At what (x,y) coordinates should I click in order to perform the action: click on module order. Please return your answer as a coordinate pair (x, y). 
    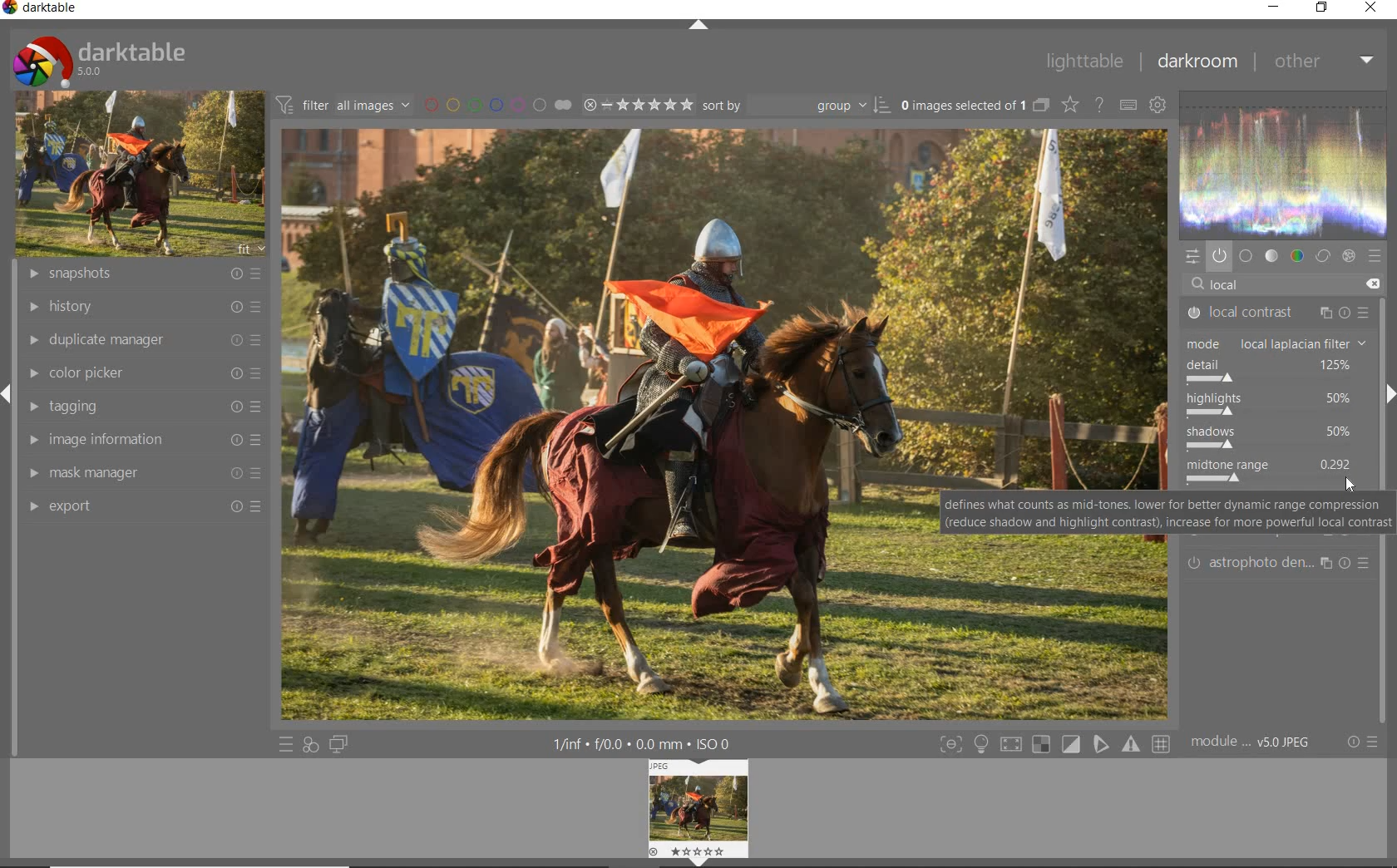
    Looking at the image, I should click on (1258, 742).